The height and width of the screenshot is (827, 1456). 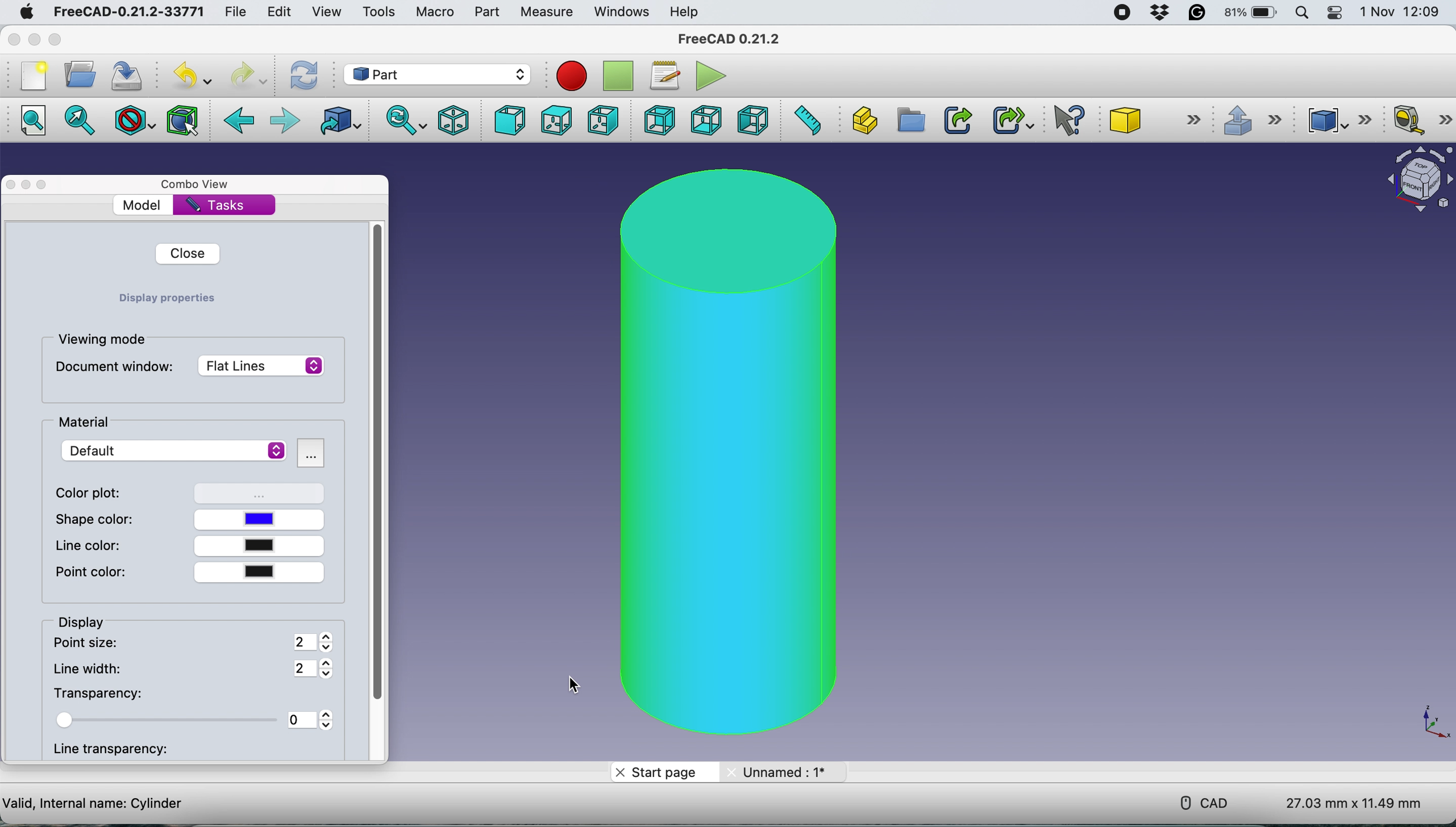 I want to click on point size, so click(x=194, y=643).